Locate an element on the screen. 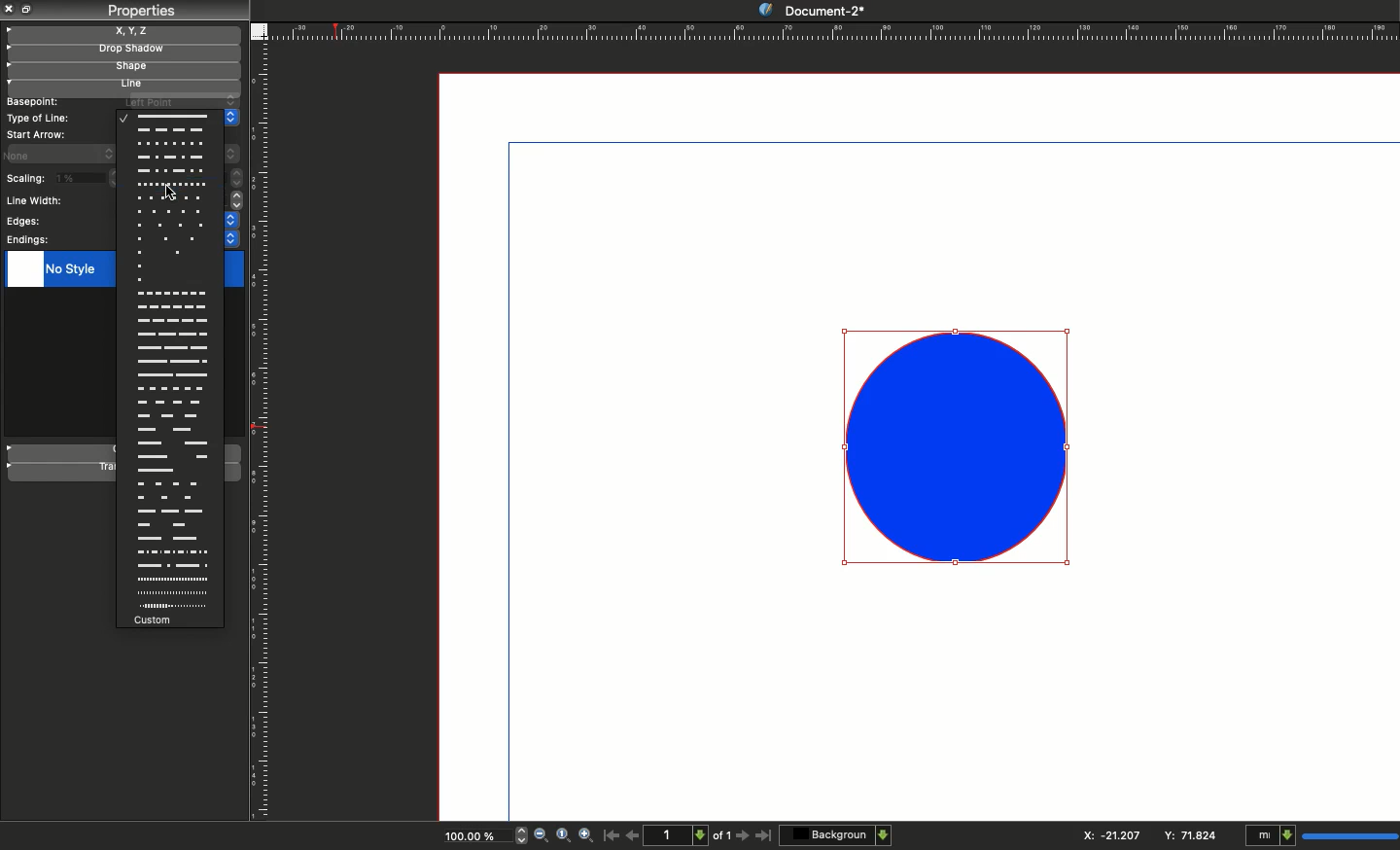 The width and height of the screenshot is (1400, 850). Zoom to is located at coordinates (563, 834).